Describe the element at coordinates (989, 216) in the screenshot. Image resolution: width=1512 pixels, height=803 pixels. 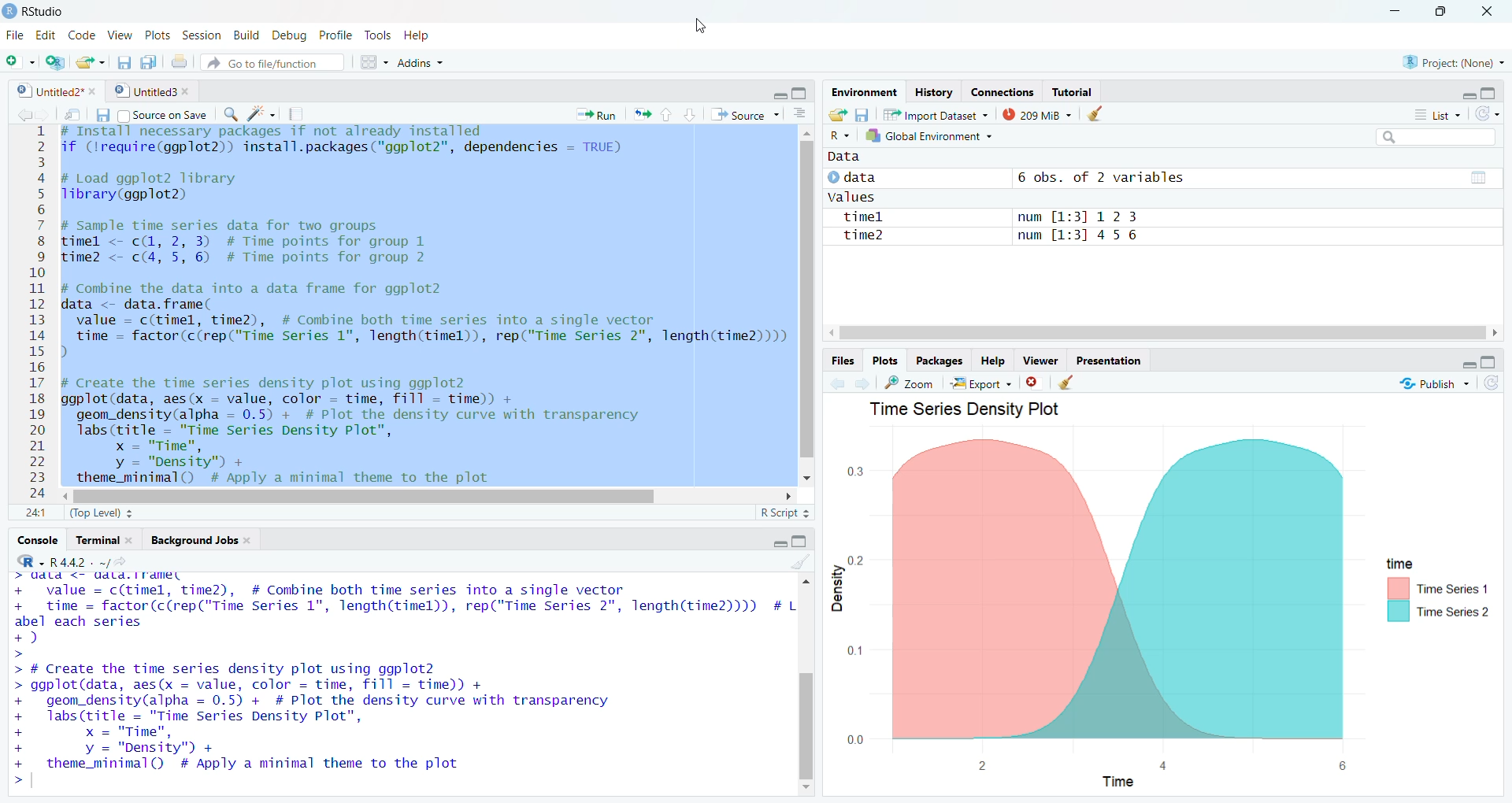
I see `timel num [1:31 123` at that location.